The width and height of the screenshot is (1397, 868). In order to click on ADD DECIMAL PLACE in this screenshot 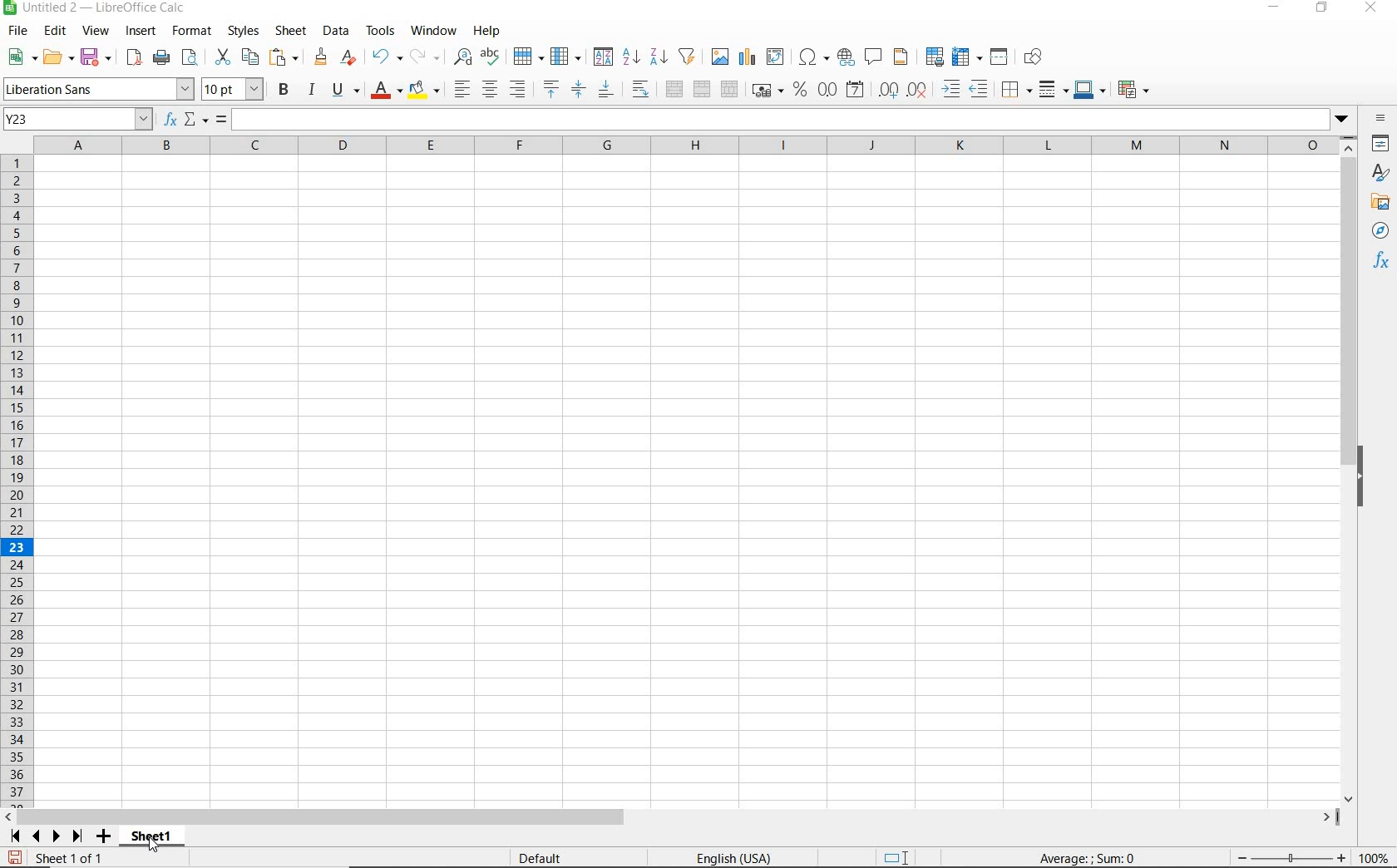, I will do `click(887, 89)`.